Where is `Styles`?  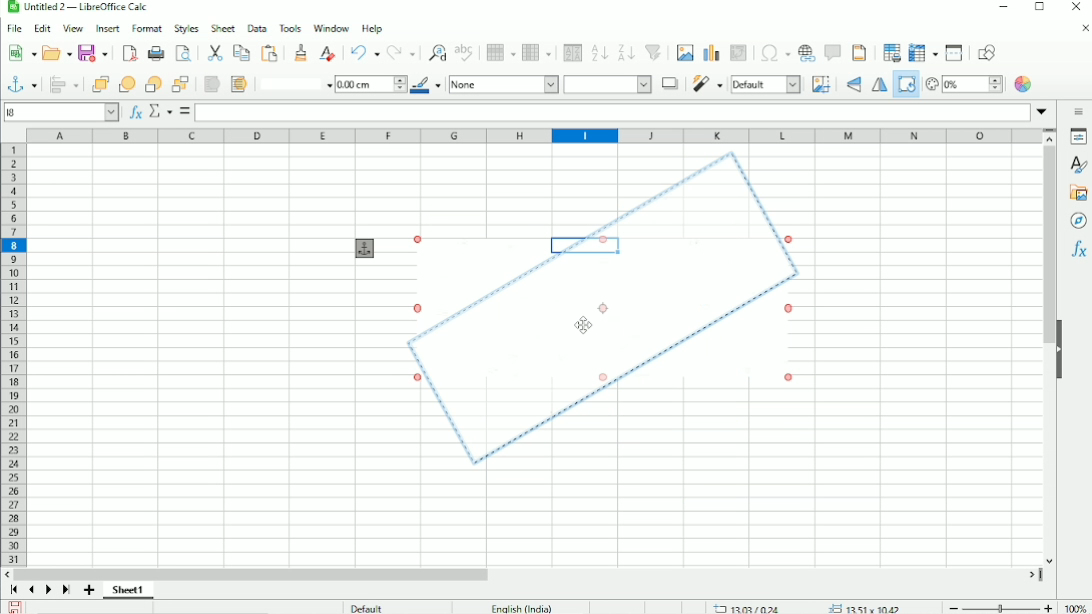
Styles is located at coordinates (185, 28).